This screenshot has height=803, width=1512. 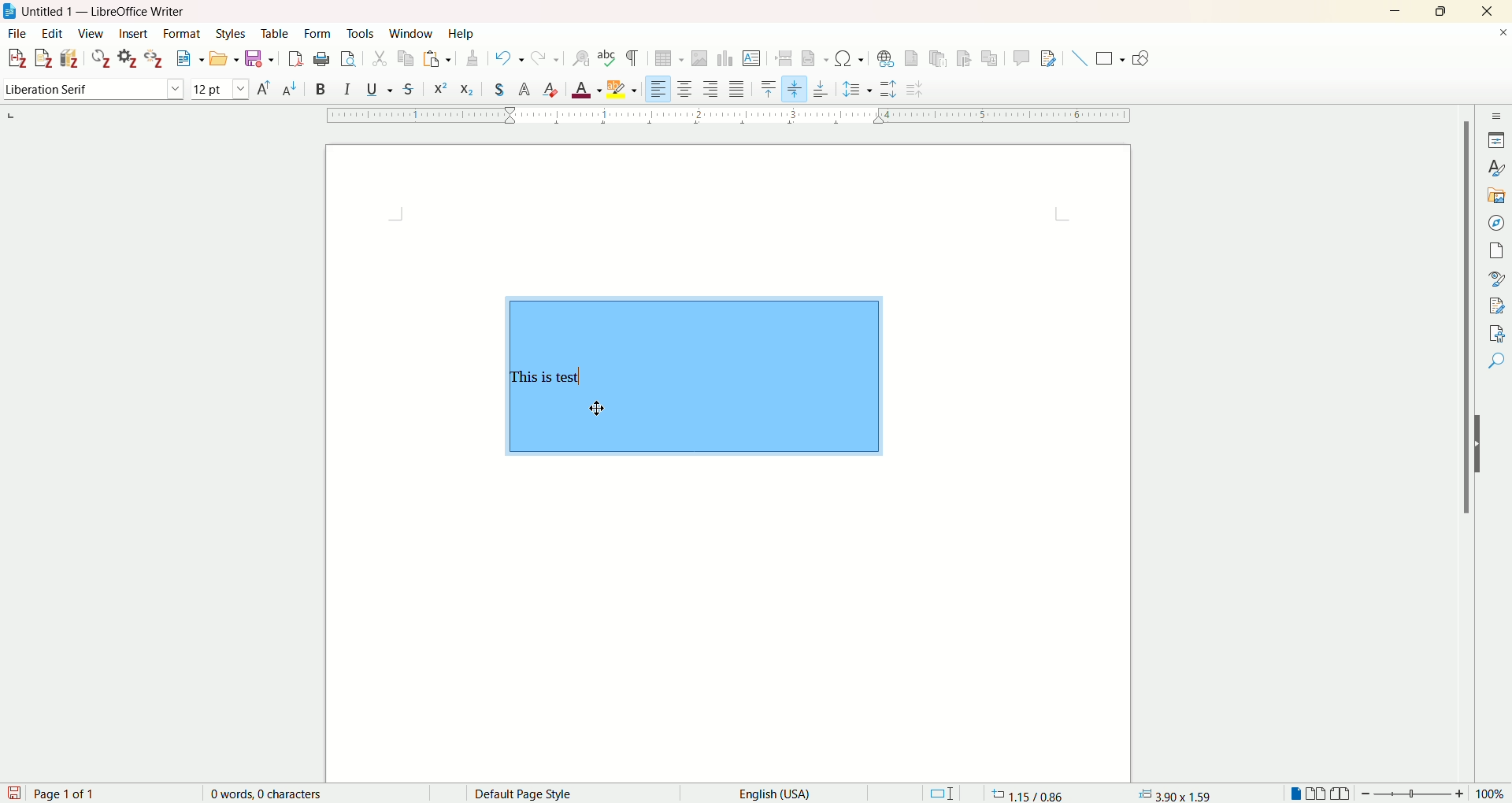 What do you see at coordinates (1497, 357) in the screenshot?
I see `find` at bounding box center [1497, 357].